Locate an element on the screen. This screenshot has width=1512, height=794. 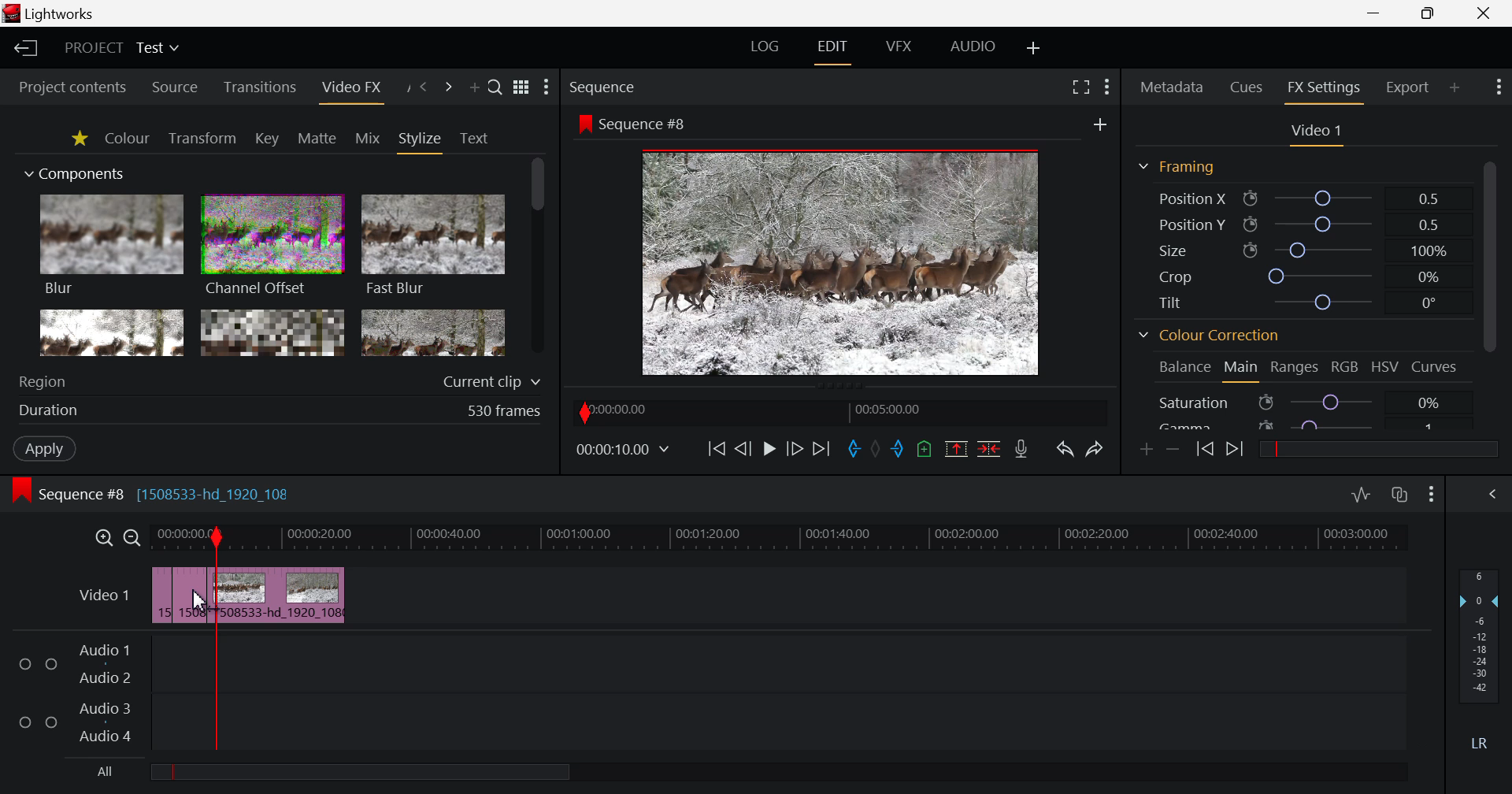
Video Layer is located at coordinates (103, 598).